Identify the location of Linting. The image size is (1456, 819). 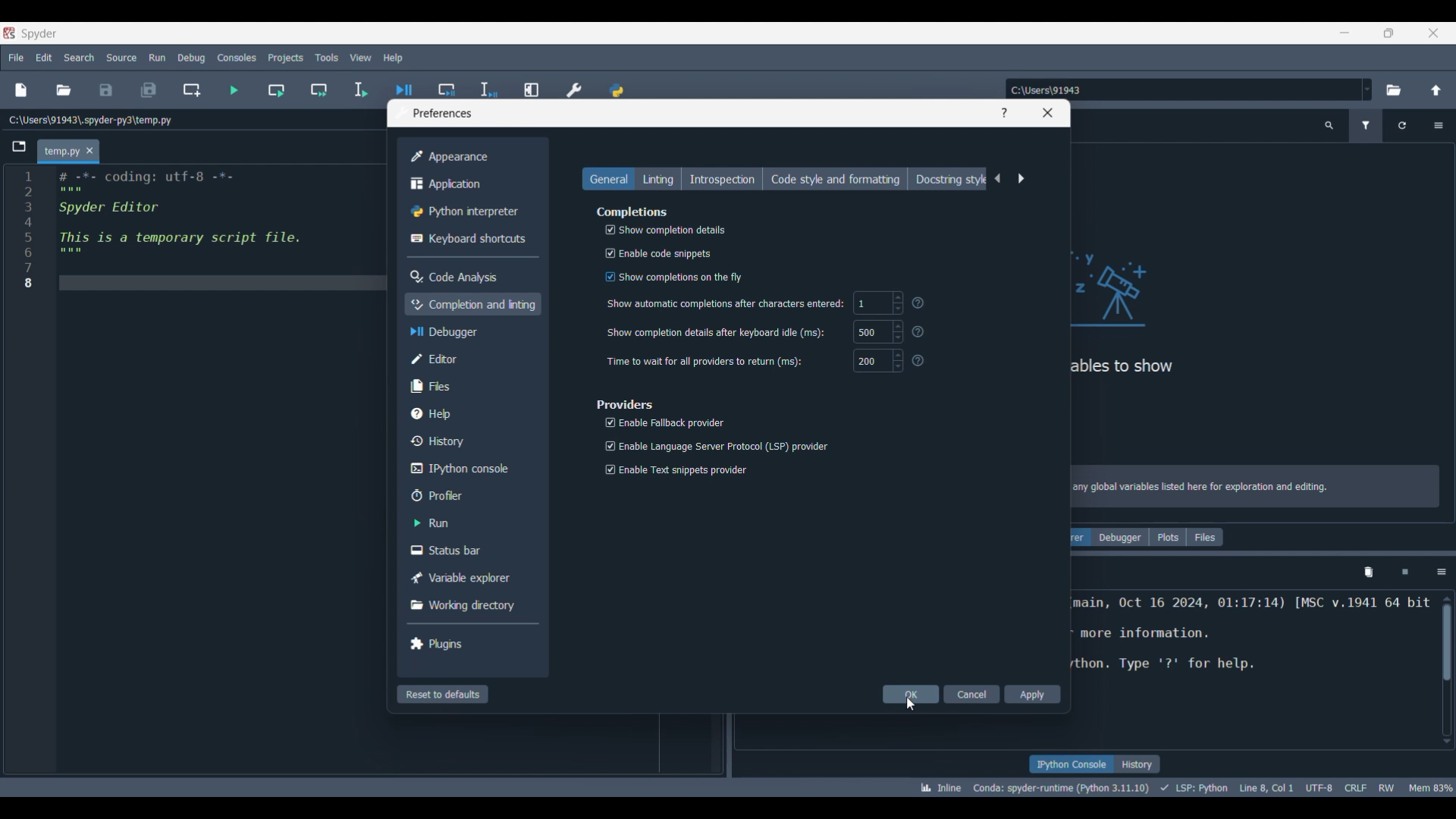
(657, 178).